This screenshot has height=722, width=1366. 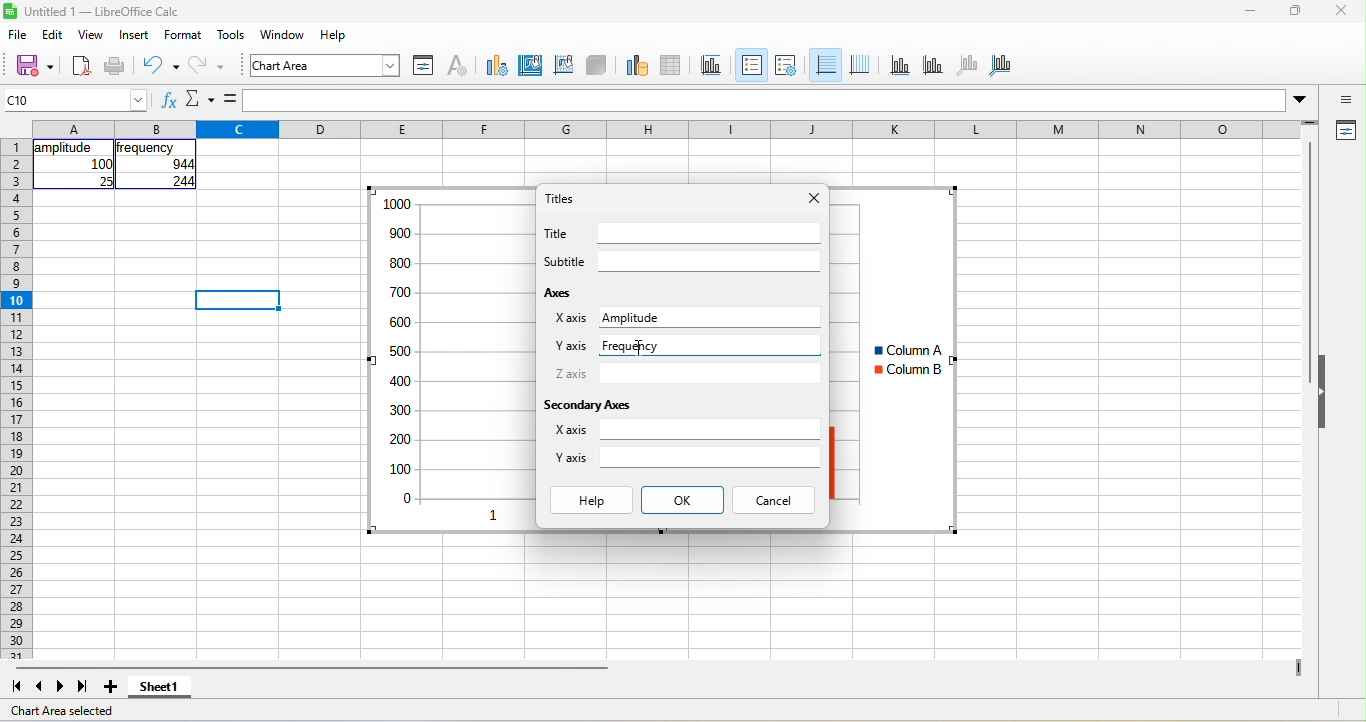 What do you see at coordinates (571, 373) in the screenshot?
I see `Z axis` at bounding box center [571, 373].